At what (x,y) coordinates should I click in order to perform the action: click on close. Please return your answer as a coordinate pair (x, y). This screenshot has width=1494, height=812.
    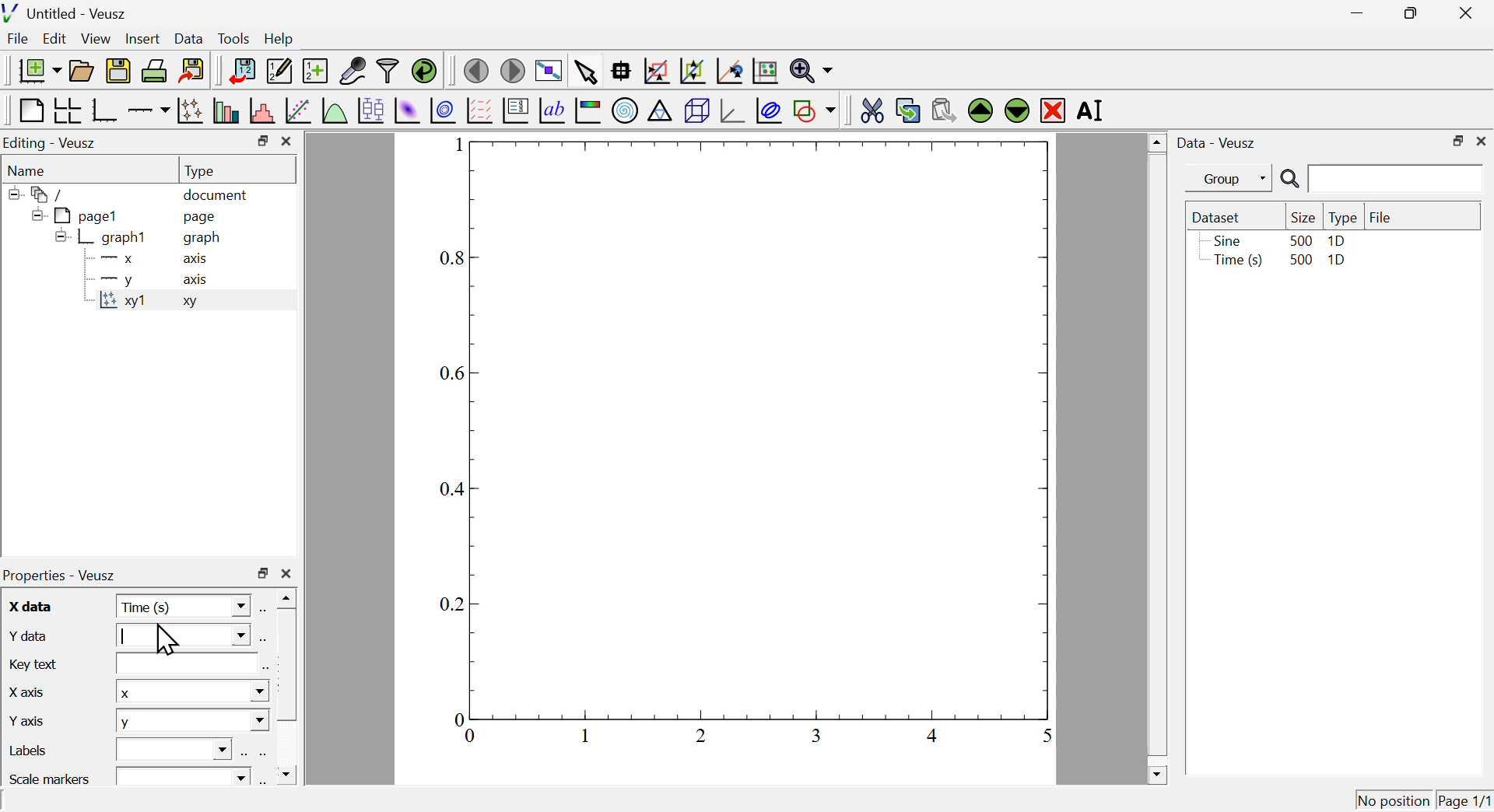
    Looking at the image, I should click on (1469, 12).